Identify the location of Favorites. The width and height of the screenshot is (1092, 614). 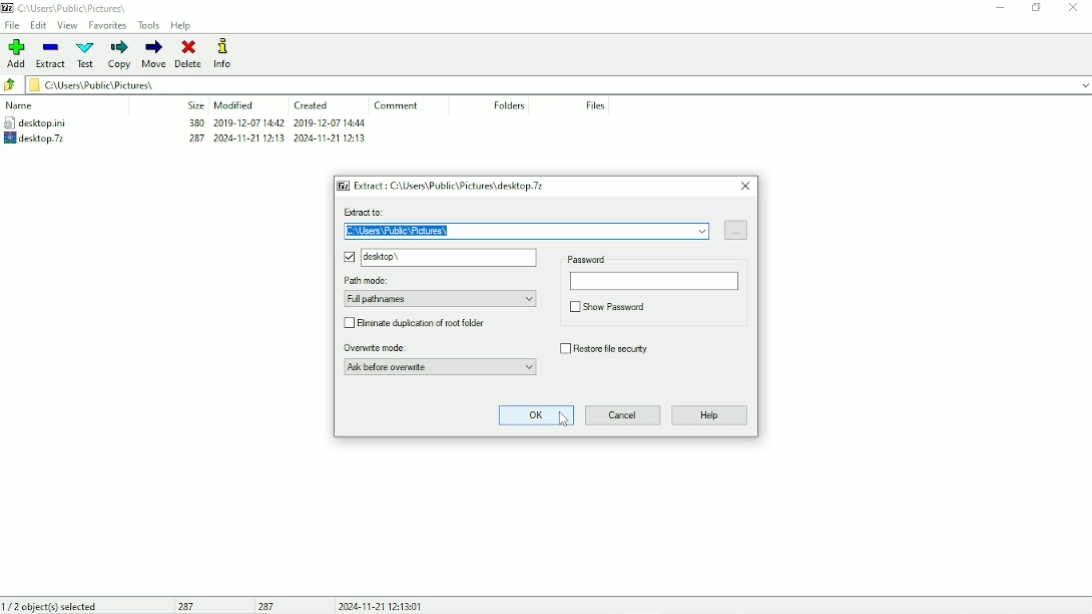
(107, 26).